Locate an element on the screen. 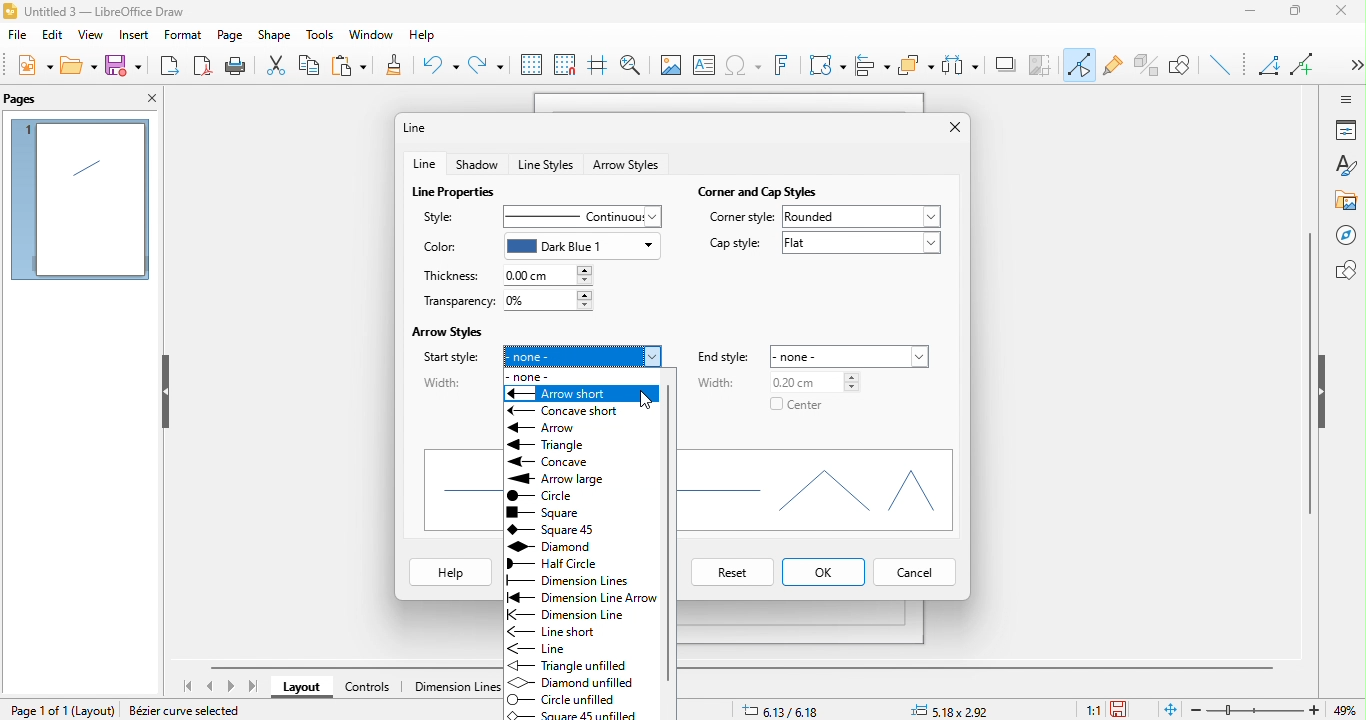  hide is located at coordinates (164, 393).